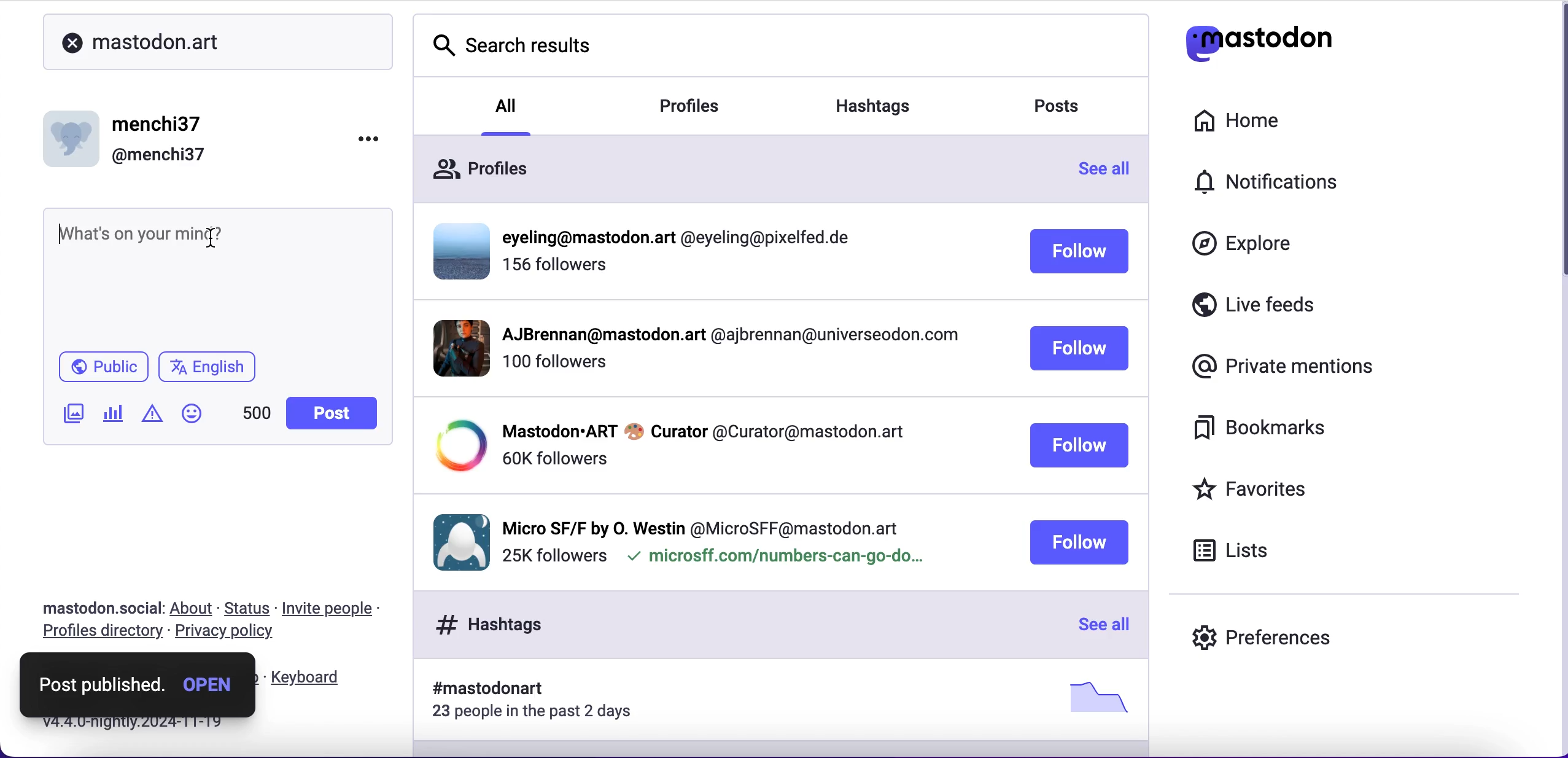 This screenshot has height=758, width=1568. I want to click on v4.4. 0-nightly.2024-11-19, so click(135, 722).